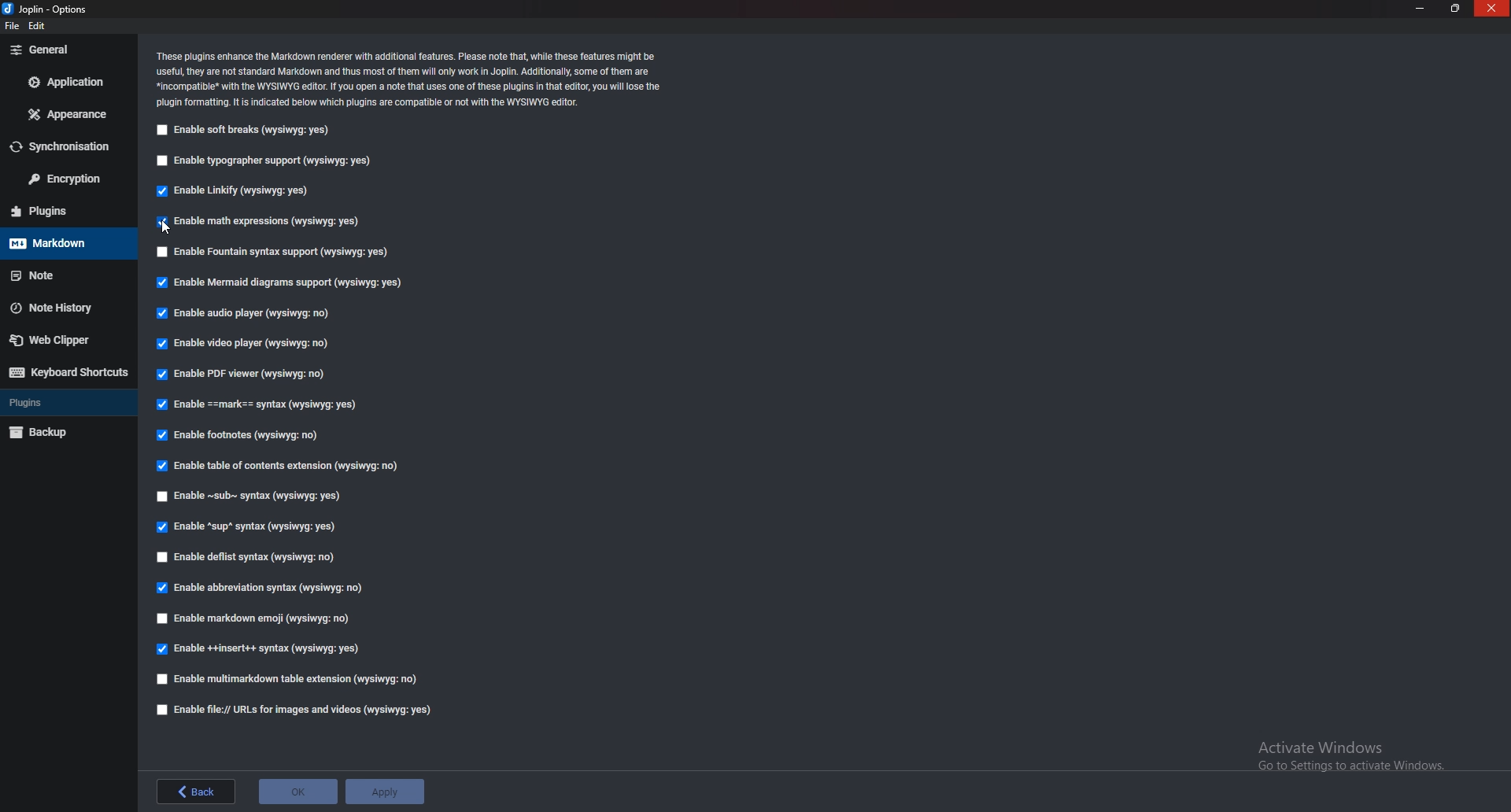 This screenshot has width=1511, height=812. Describe the element at coordinates (416, 78) in the screenshot. I see `Info` at that location.